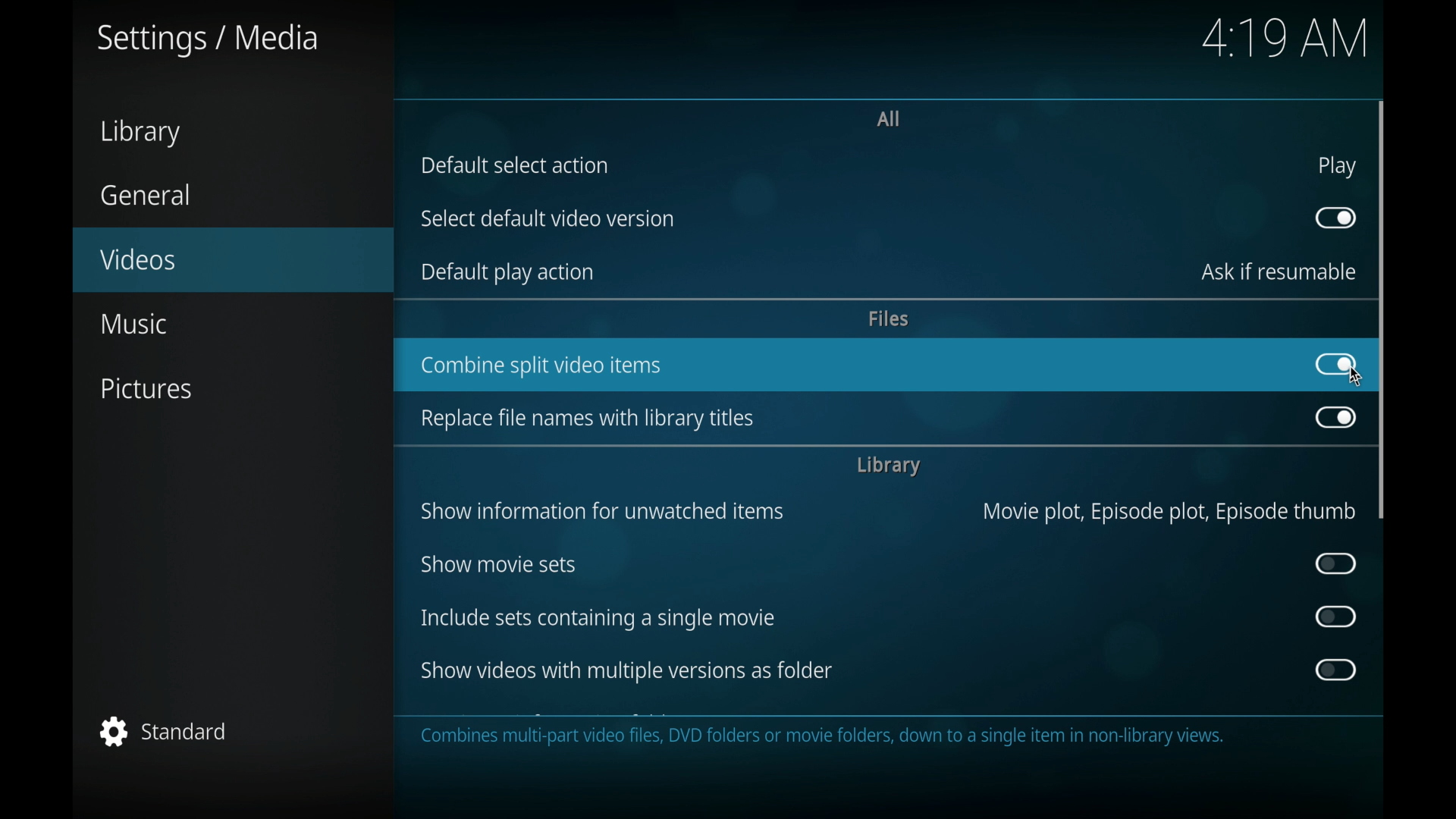 The width and height of the screenshot is (1456, 819). I want to click on general, so click(144, 195).